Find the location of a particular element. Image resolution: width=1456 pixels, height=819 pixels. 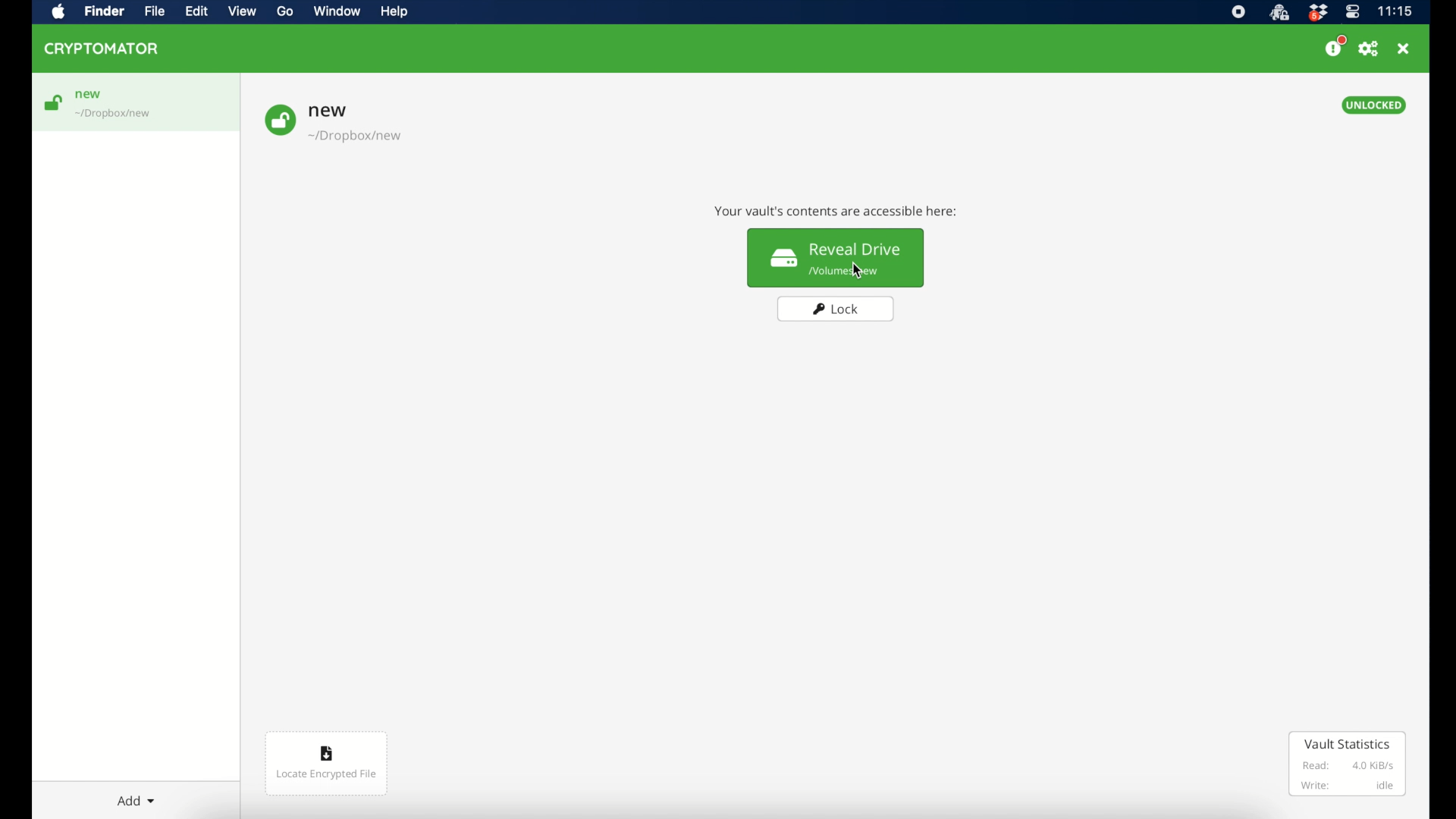

dropbox is located at coordinates (1317, 13).